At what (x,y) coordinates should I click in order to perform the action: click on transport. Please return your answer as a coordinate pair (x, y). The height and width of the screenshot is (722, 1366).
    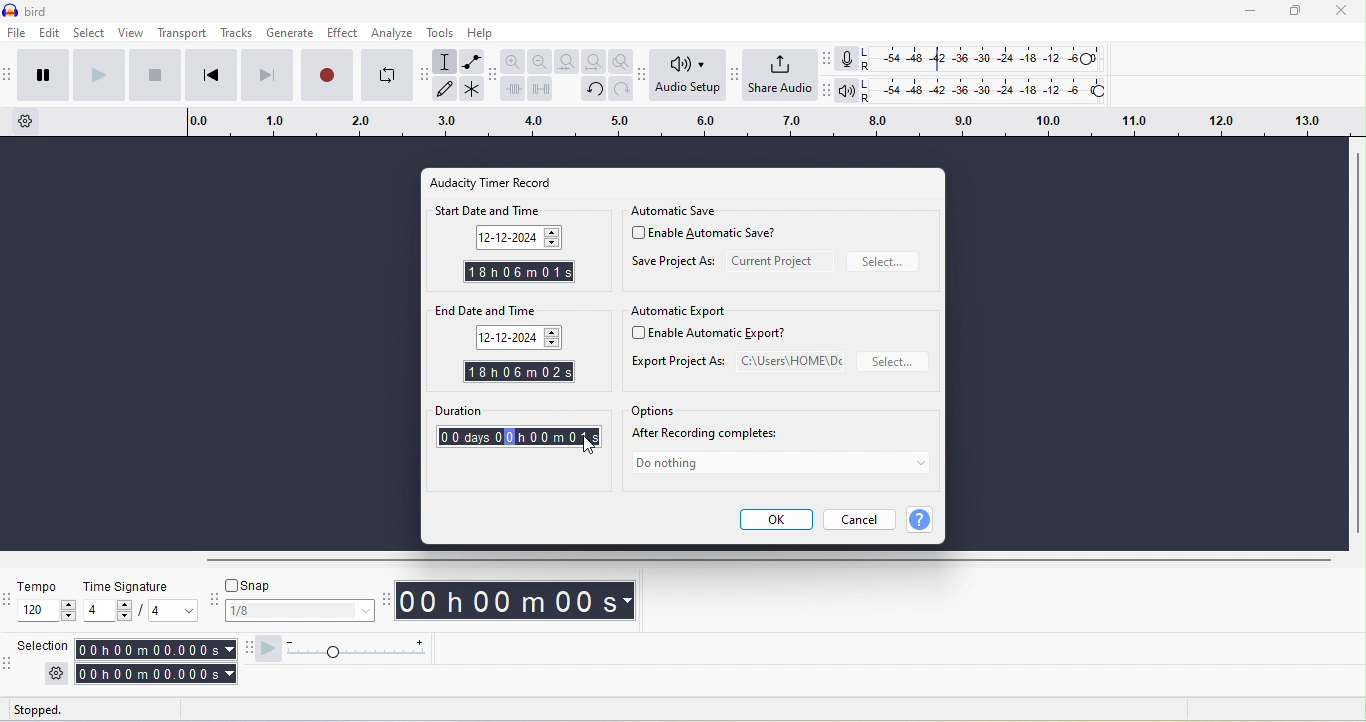
    Looking at the image, I should click on (181, 35).